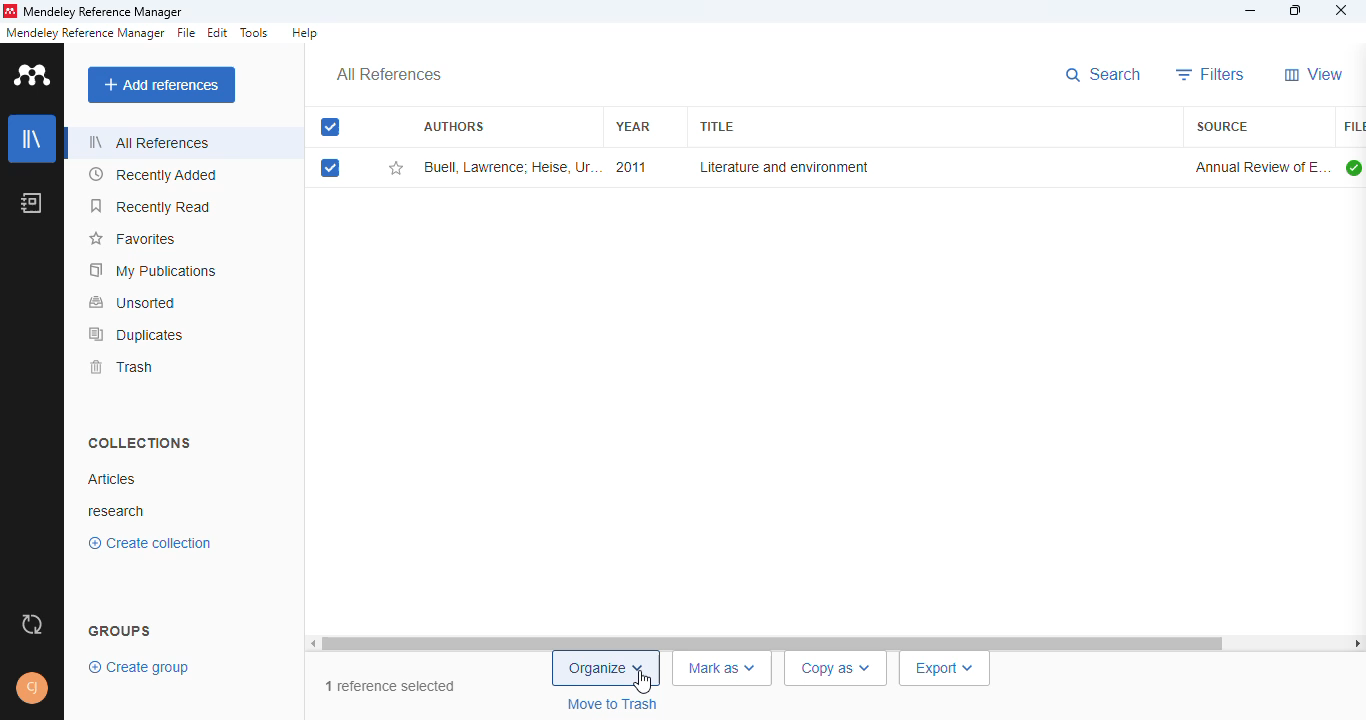 Image resolution: width=1366 pixels, height=720 pixels. What do you see at coordinates (644, 682) in the screenshot?
I see `cursor` at bounding box center [644, 682].